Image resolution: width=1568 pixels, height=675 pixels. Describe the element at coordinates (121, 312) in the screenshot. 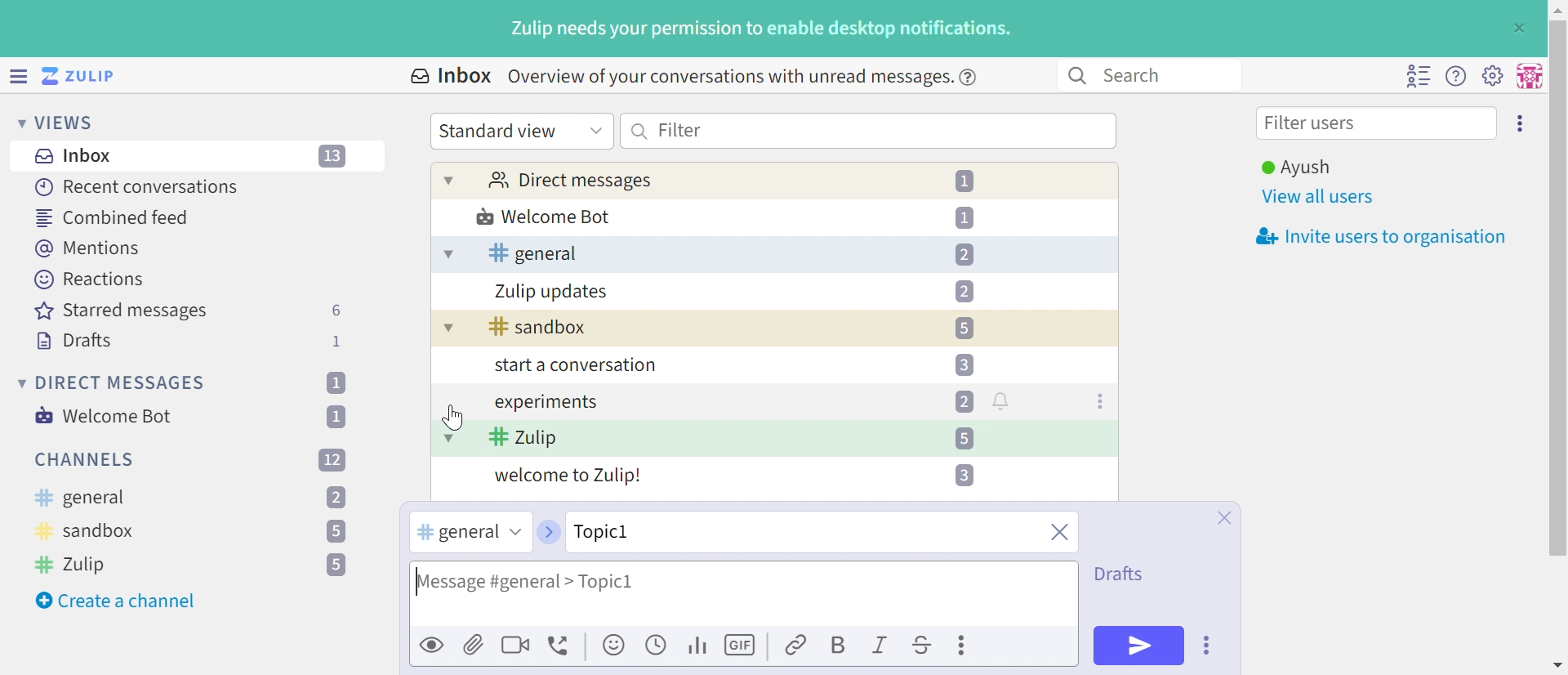

I see `Starred messages` at that location.